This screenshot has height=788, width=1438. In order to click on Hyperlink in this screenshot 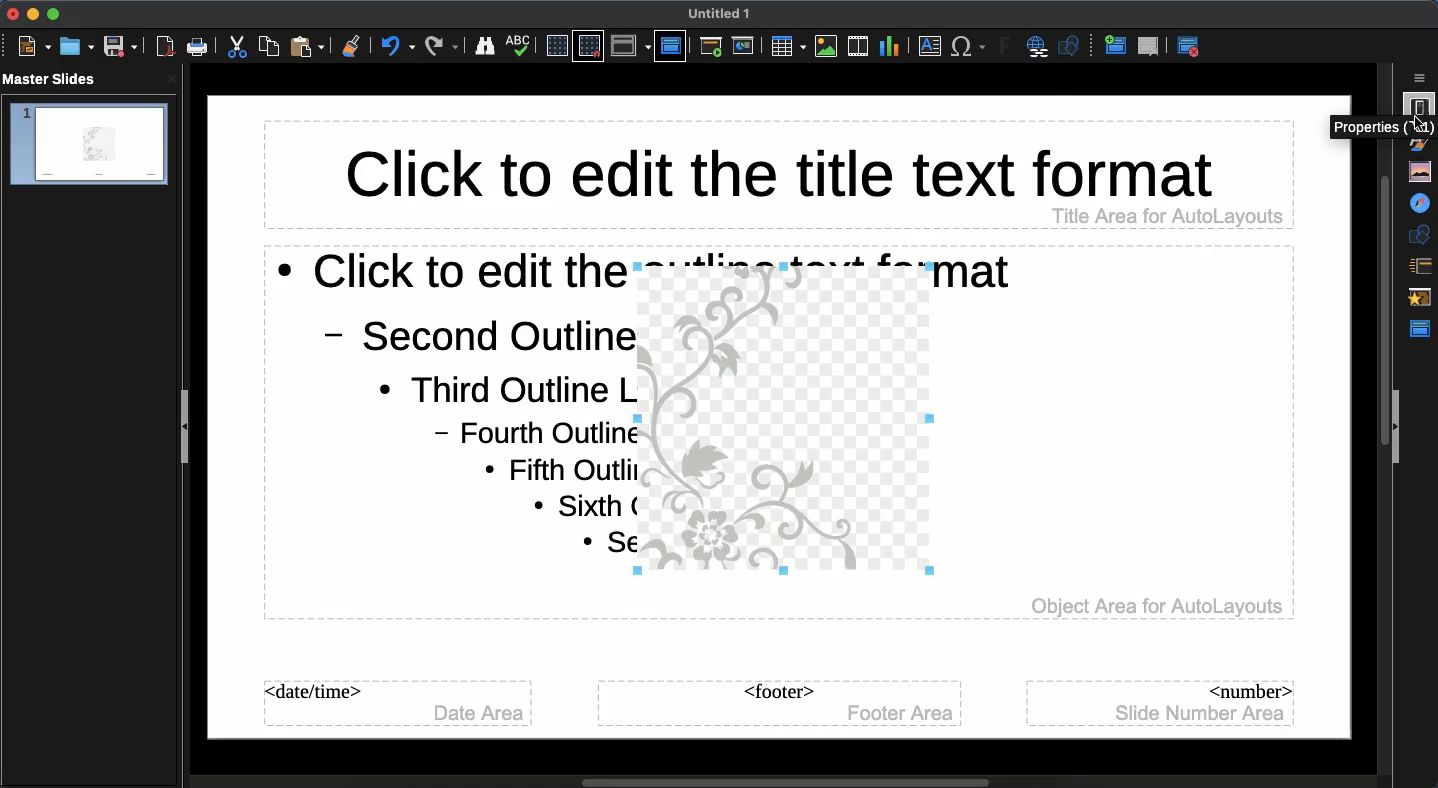, I will do `click(1040, 48)`.